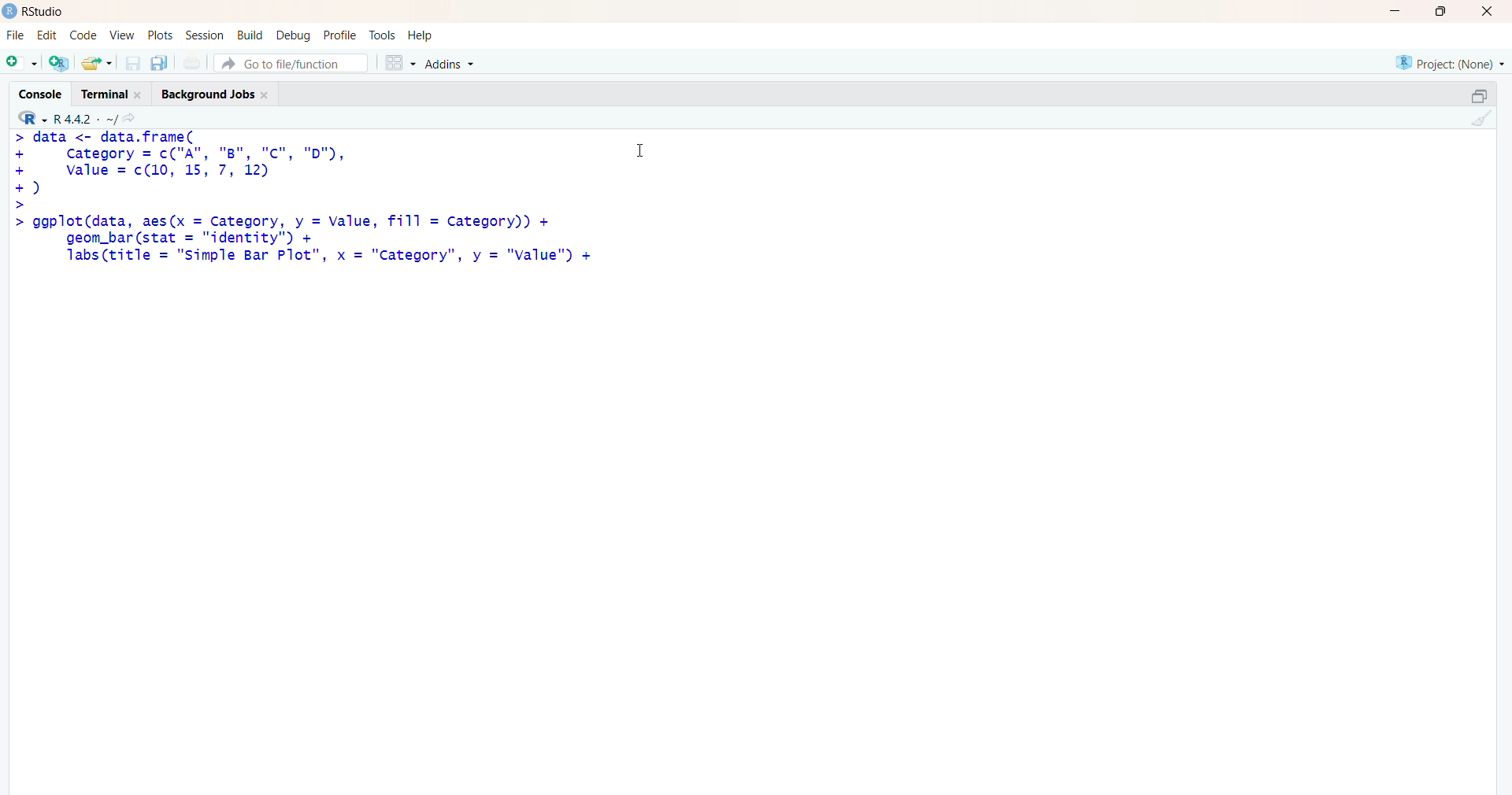  I want to click on grid view, so click(399, 62).